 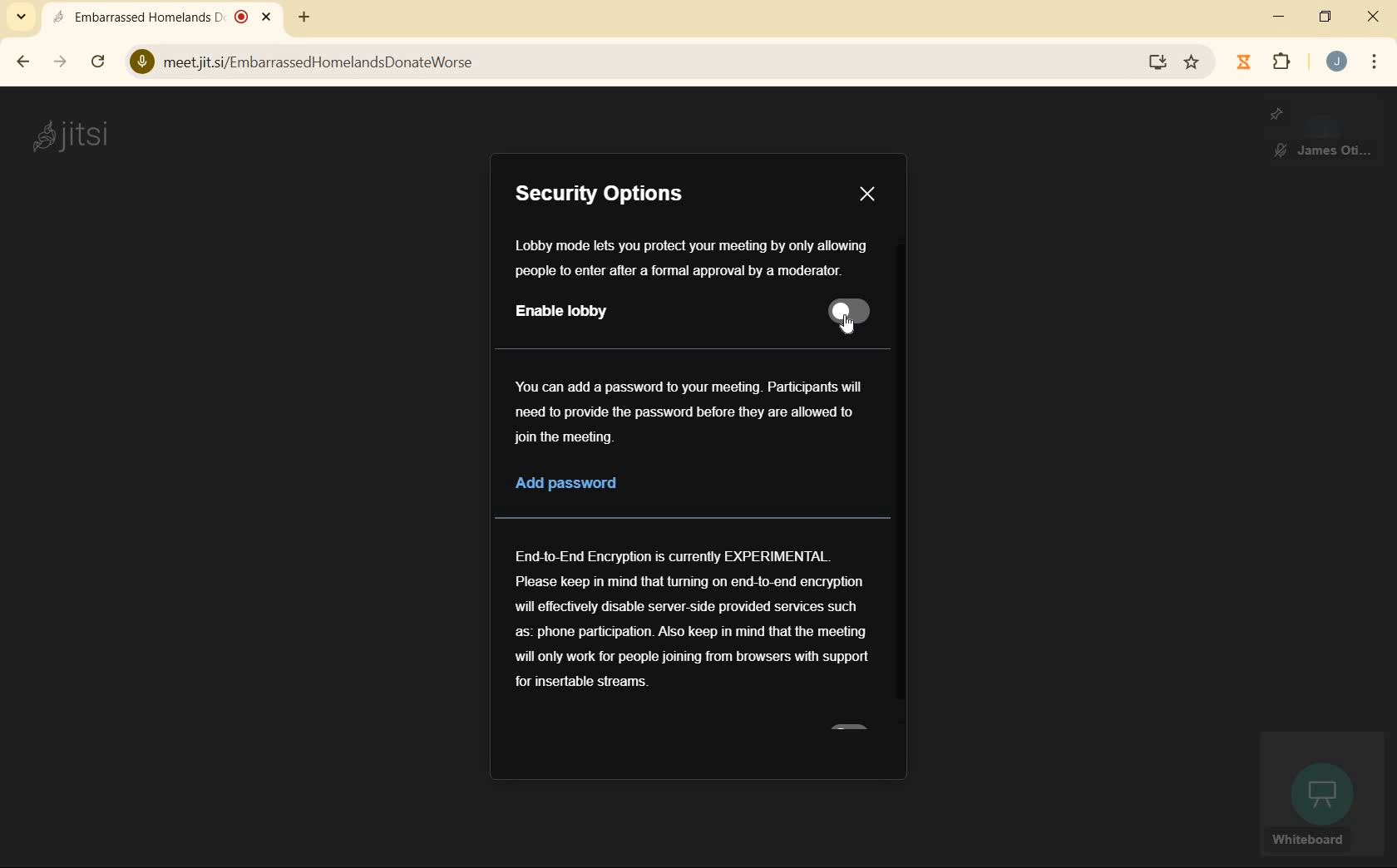 What do you see at coordinates (1194, 61) in the screenshot?
I see `bookmark` at bounding box center [1194, 61].